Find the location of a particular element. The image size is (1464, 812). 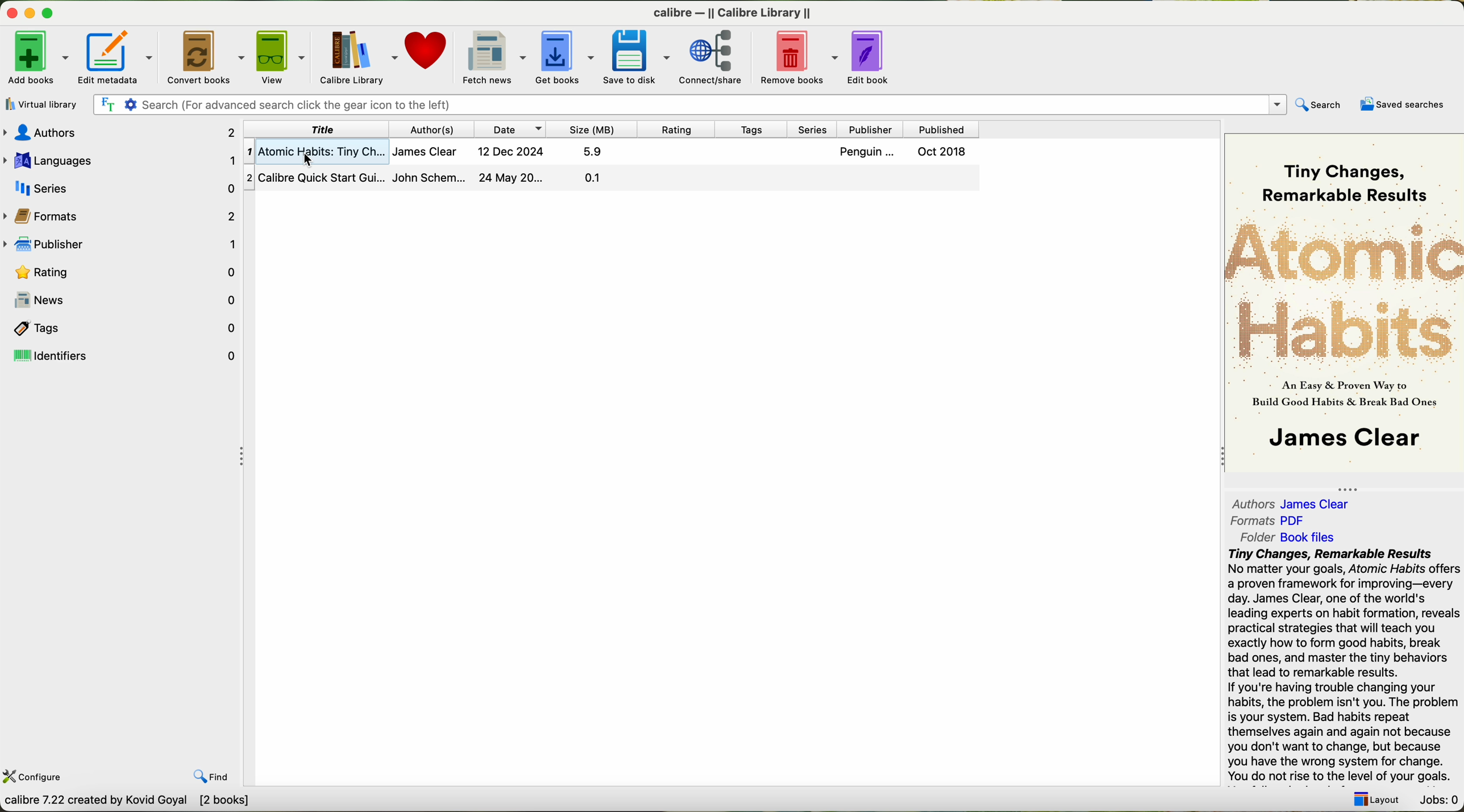

series is located at coordinates (813, 130).